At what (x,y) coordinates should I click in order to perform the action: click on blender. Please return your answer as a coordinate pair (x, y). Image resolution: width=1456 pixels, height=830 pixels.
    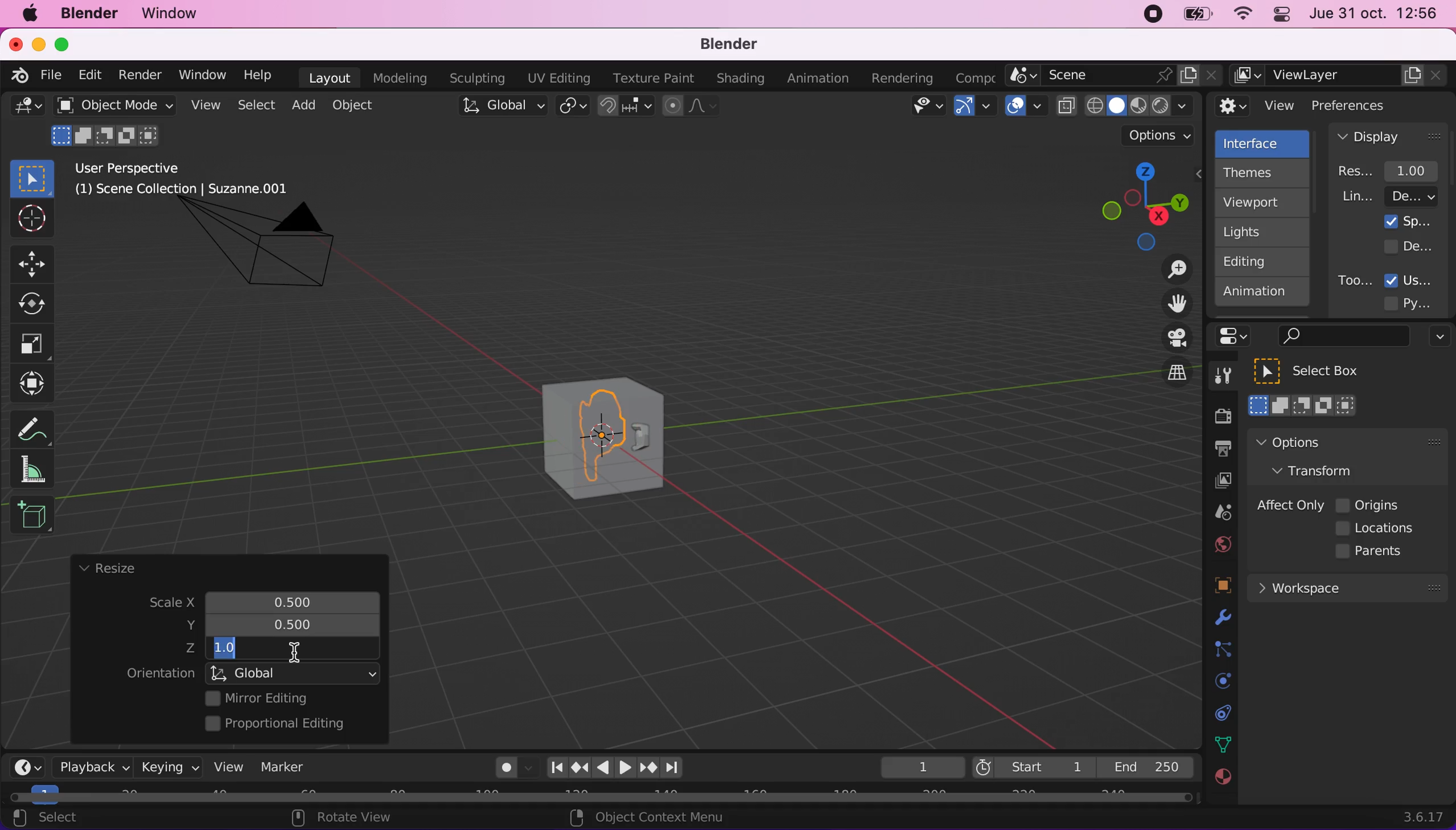
    Looking at the image, I should click on (721, 45).